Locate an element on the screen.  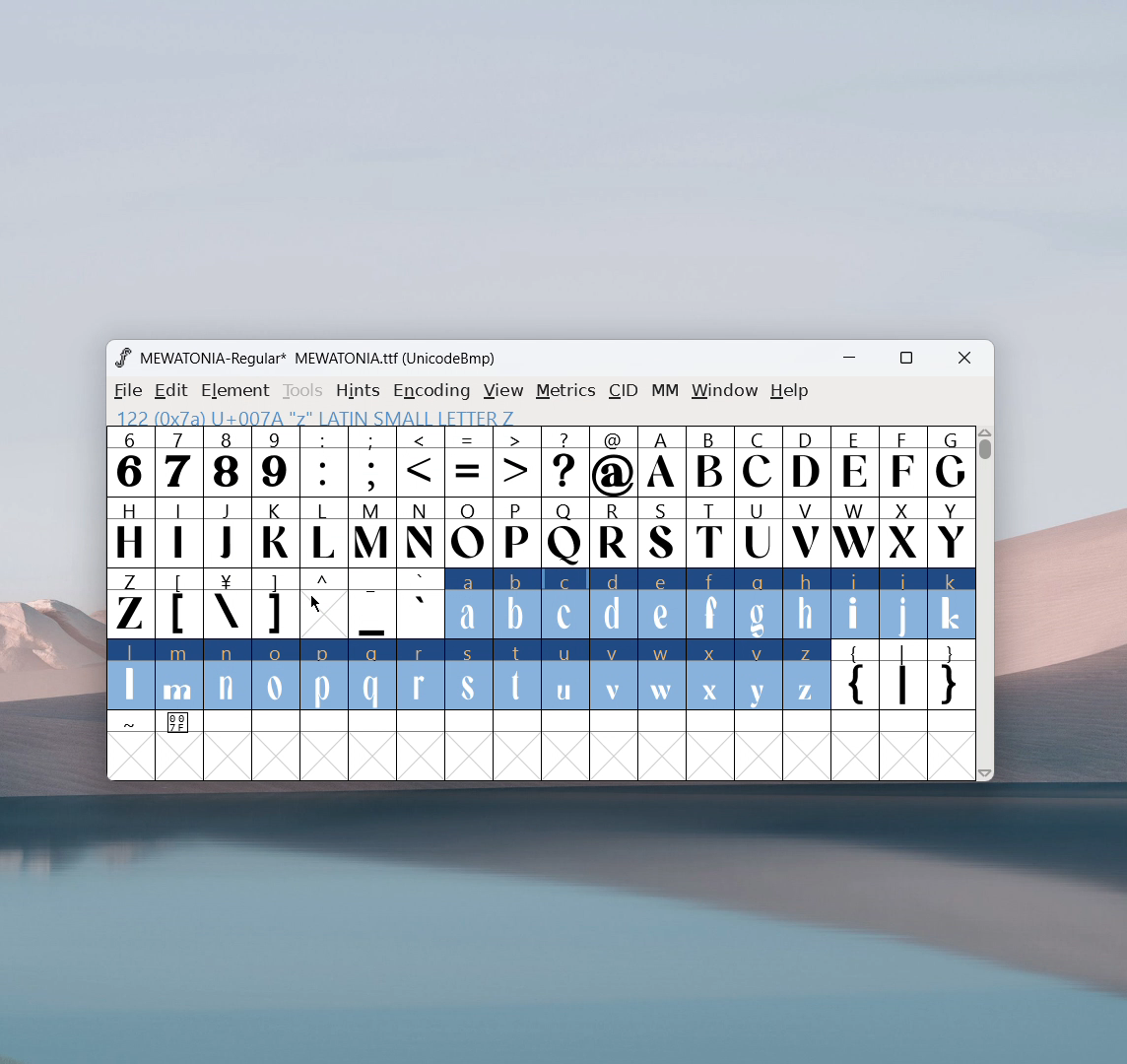
w is located at coordinates (662, 675).